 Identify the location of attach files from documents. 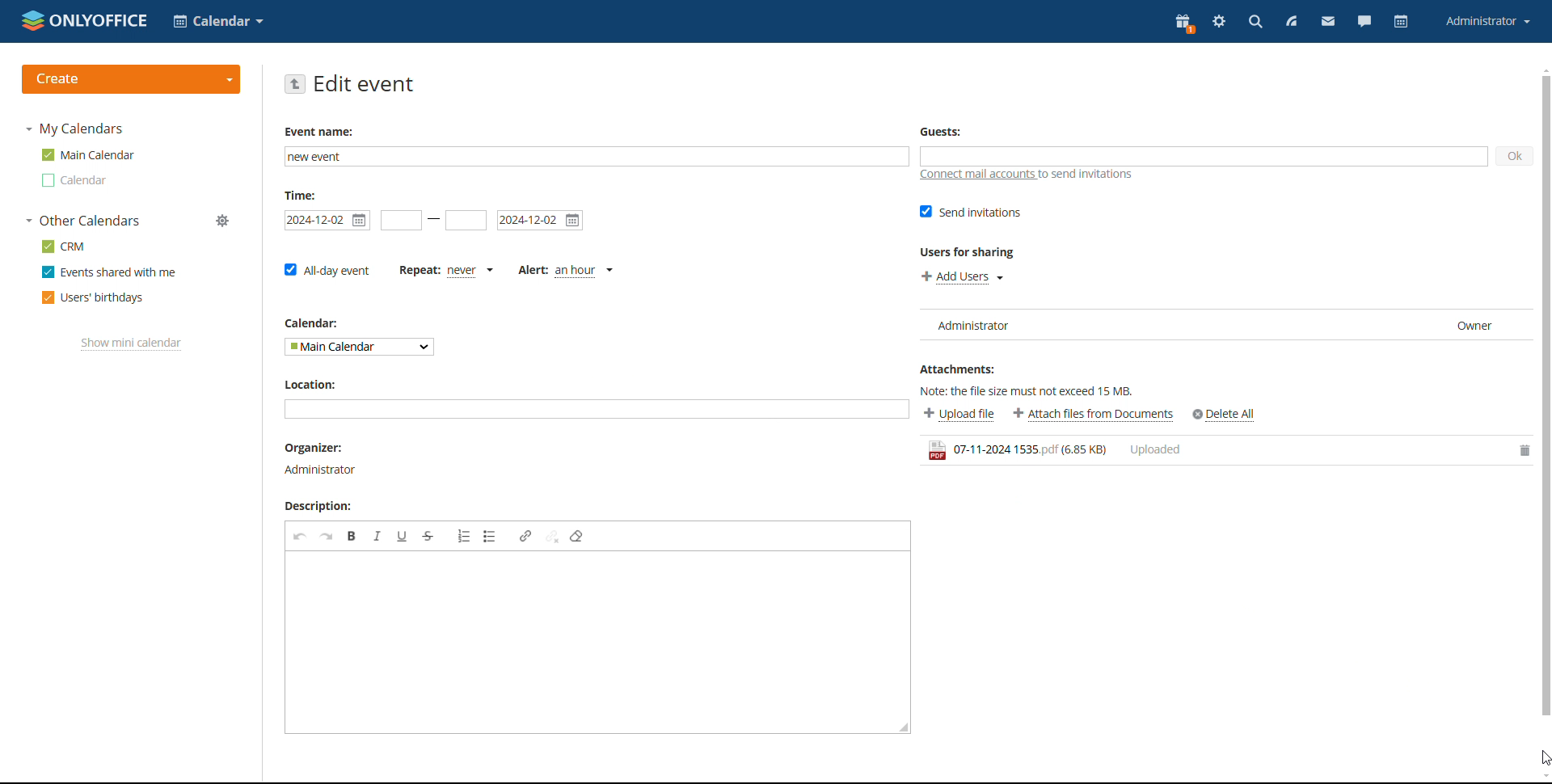
(1094, 415).